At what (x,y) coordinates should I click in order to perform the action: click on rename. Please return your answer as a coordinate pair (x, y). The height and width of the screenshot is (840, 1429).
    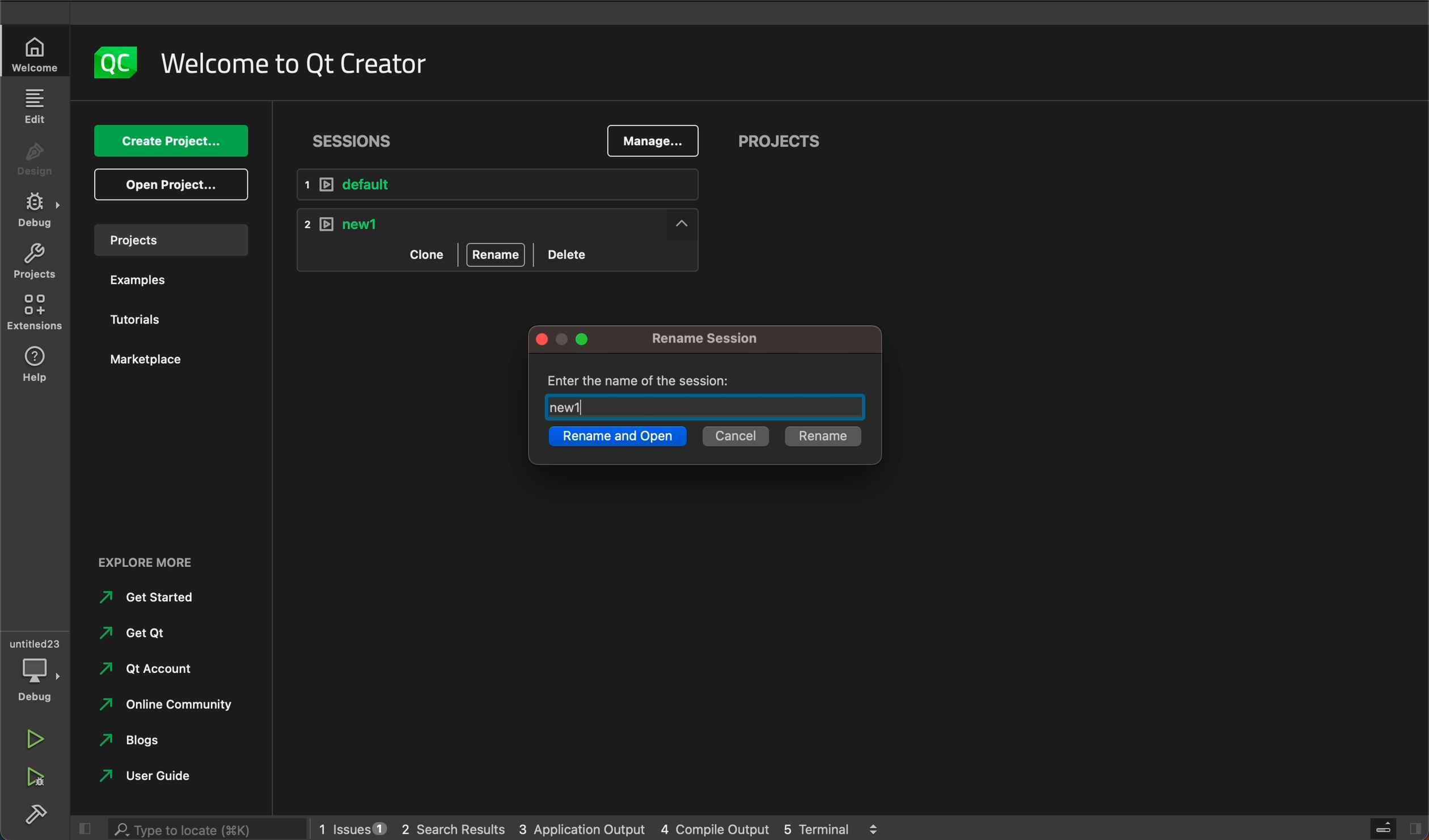
    Looking at the image, I should click on (821, 436).